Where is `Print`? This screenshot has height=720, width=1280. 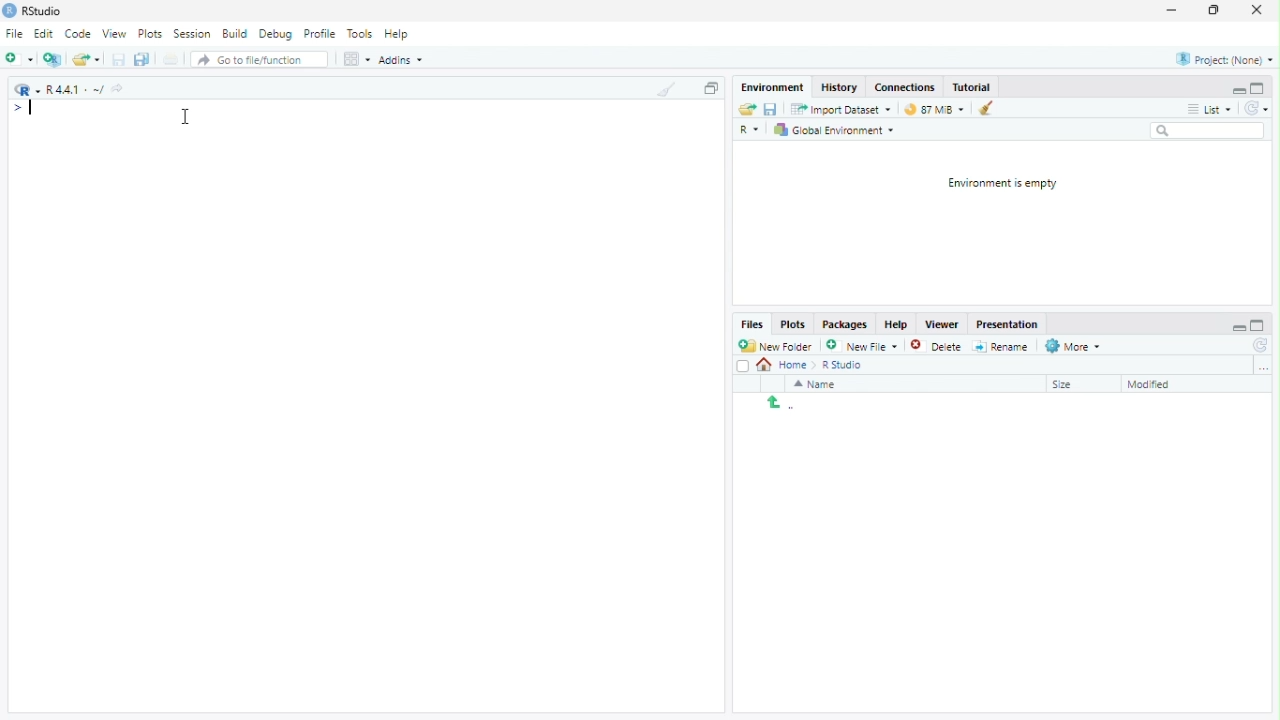 Print is located at coordinates (172, 59).